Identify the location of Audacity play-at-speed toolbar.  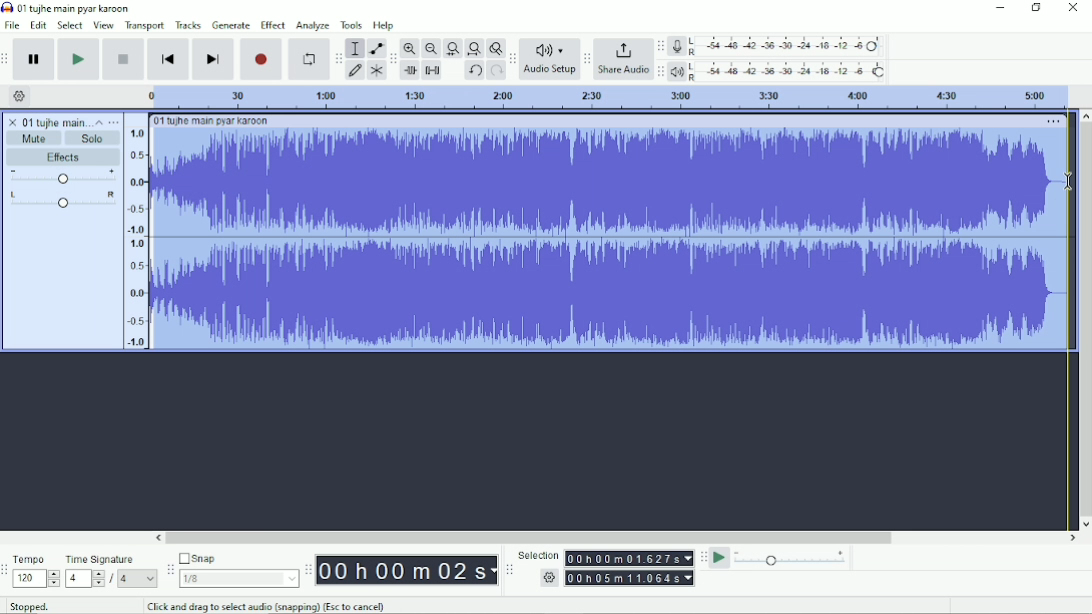
(703, 557).